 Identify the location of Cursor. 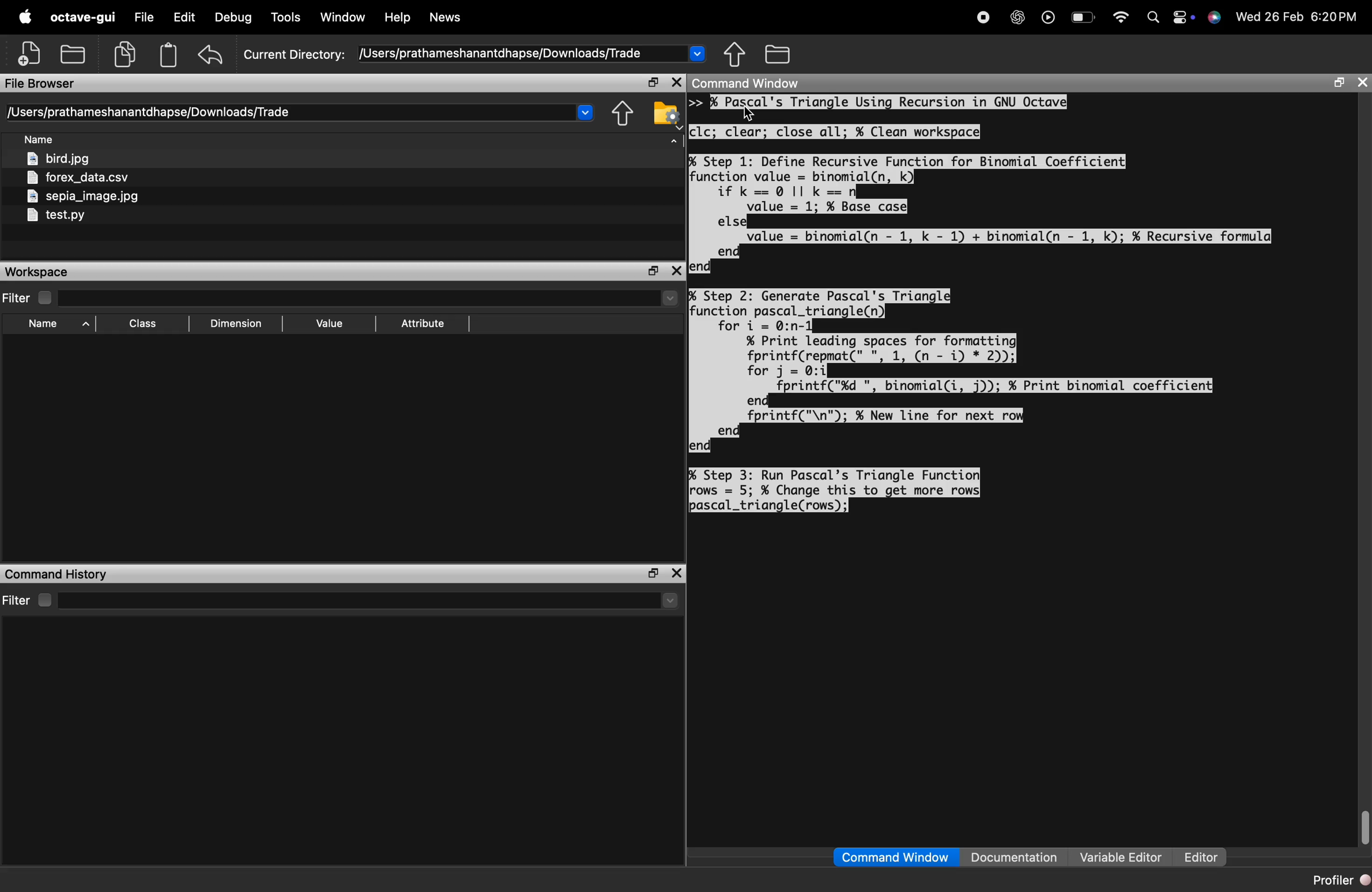
(747, 114).